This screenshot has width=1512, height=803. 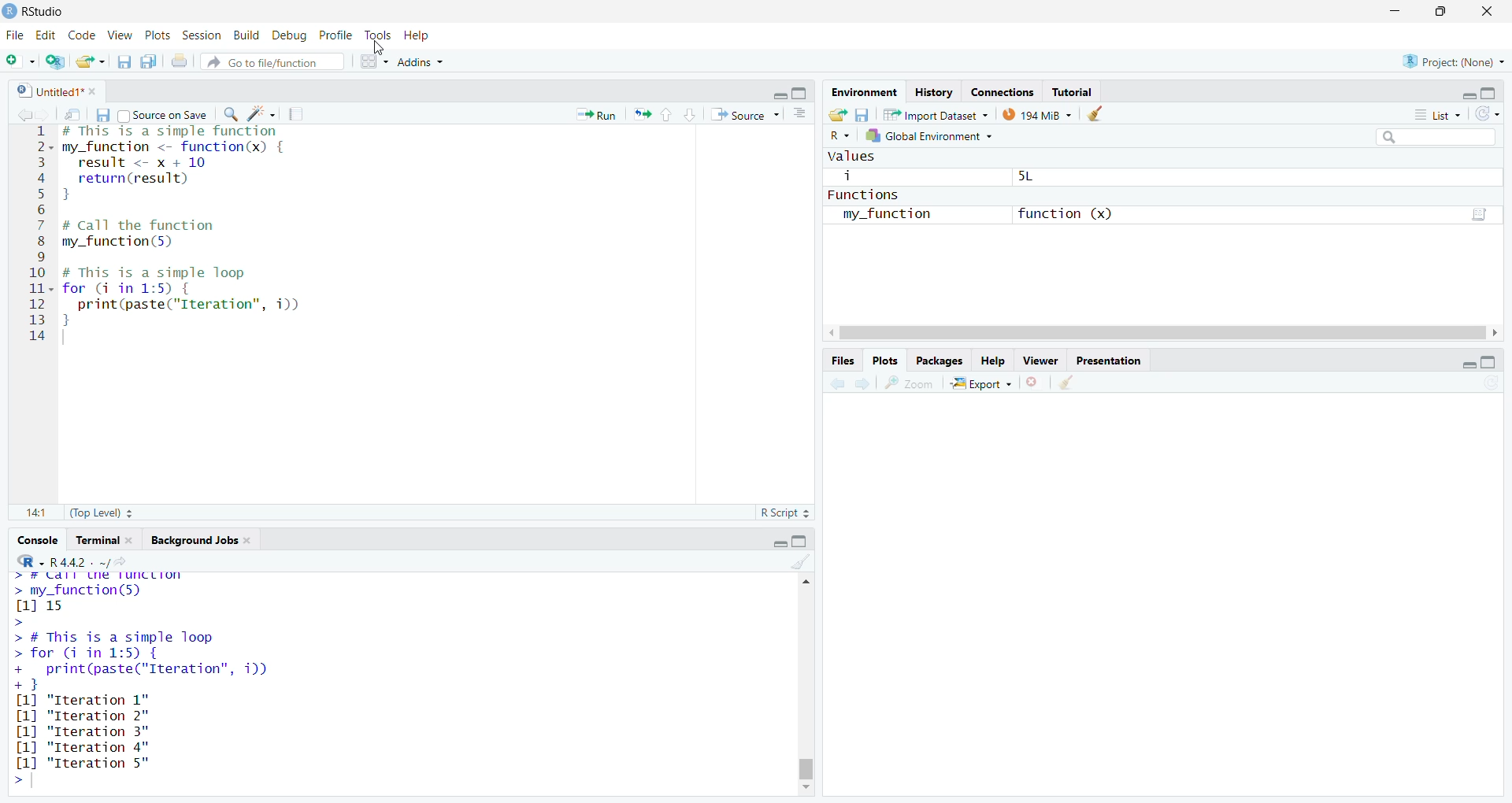 What do you see at coordinates (46, 35) in the screenshot?
I see `edit` at bounding box center [46, 35].